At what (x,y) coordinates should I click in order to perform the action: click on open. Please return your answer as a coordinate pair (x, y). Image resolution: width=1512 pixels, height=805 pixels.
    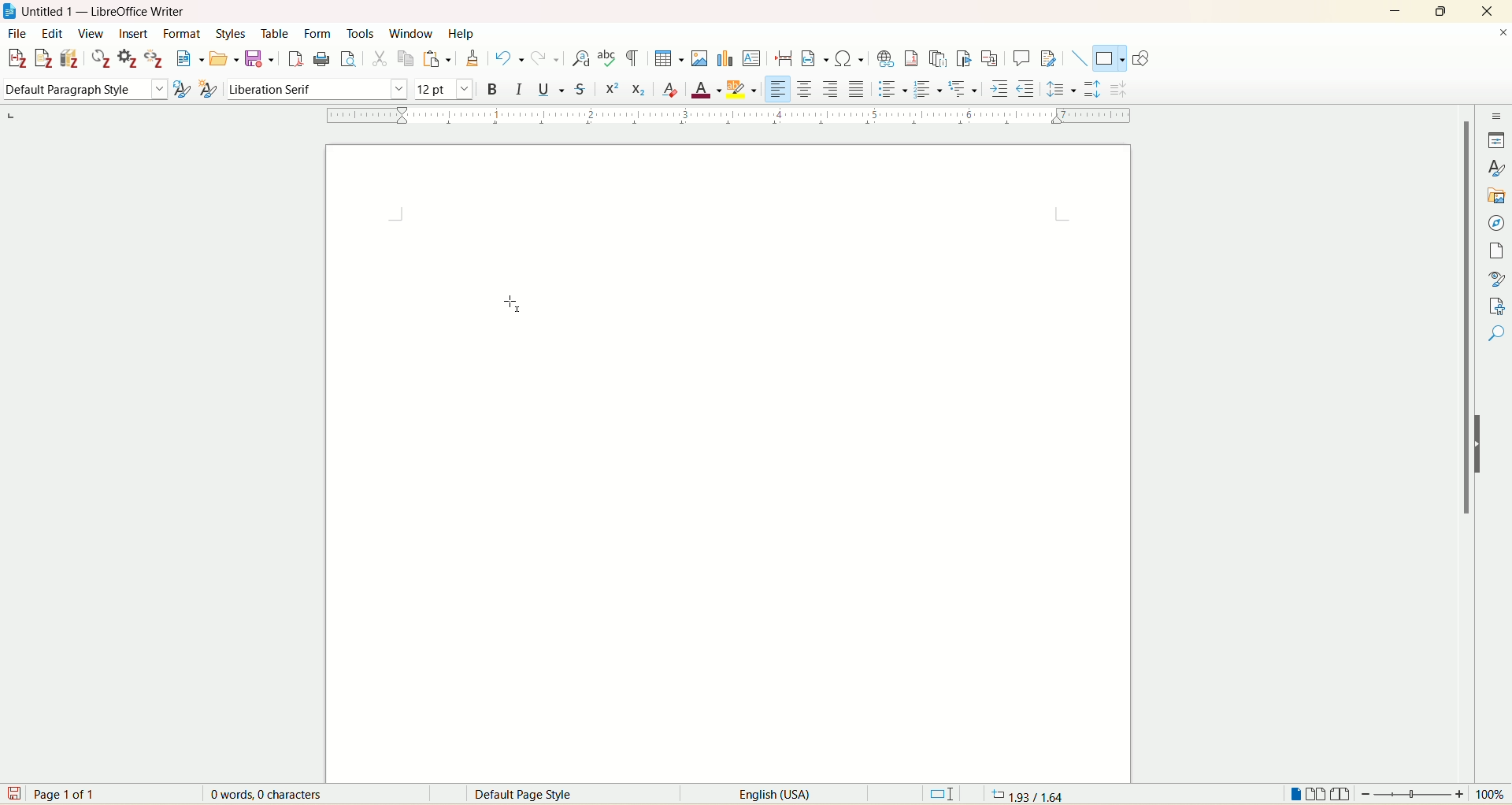
    Looking at the image, I should click on (224, 59).